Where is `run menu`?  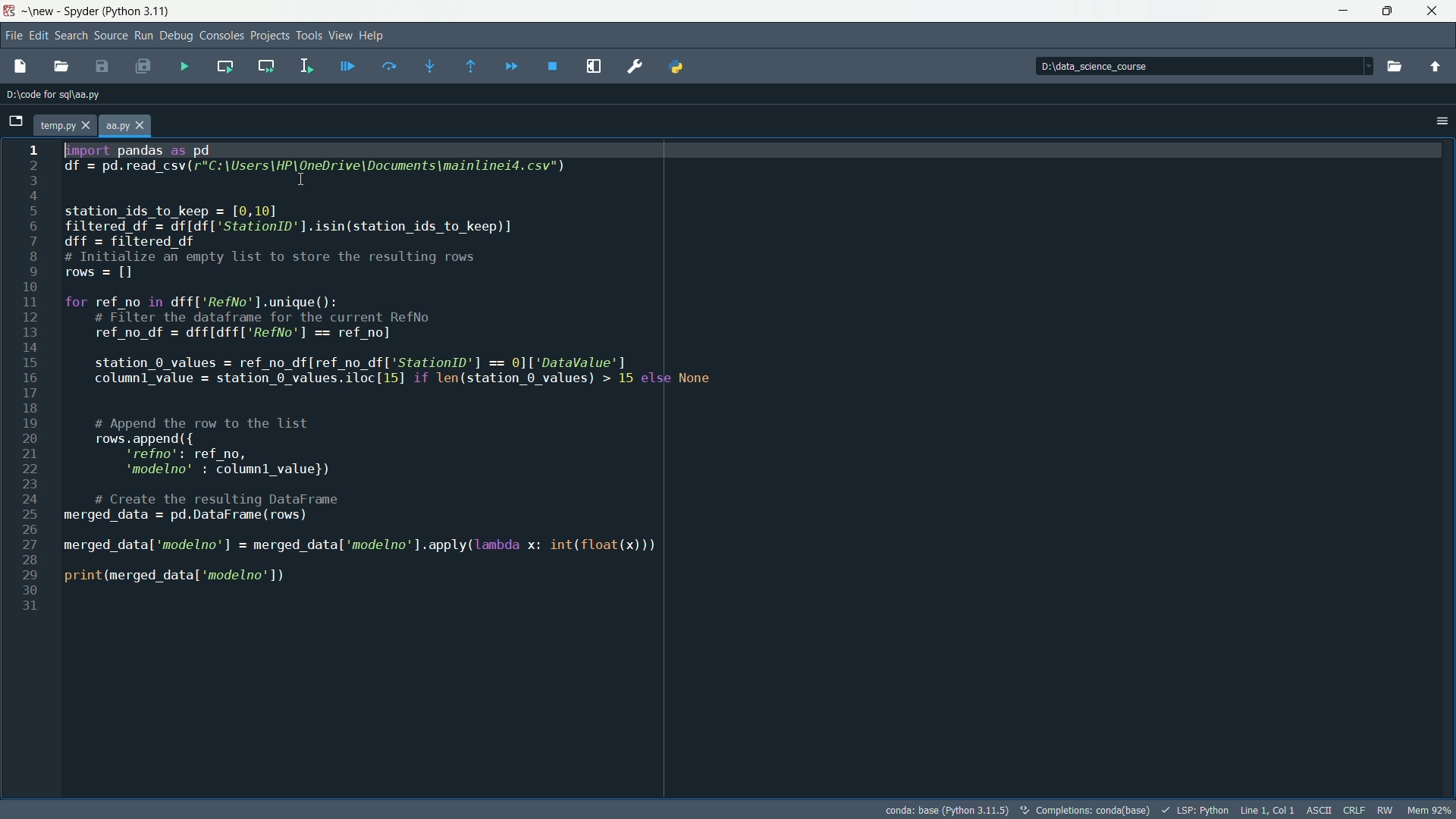
run menu is located at coordinates (143, 36).